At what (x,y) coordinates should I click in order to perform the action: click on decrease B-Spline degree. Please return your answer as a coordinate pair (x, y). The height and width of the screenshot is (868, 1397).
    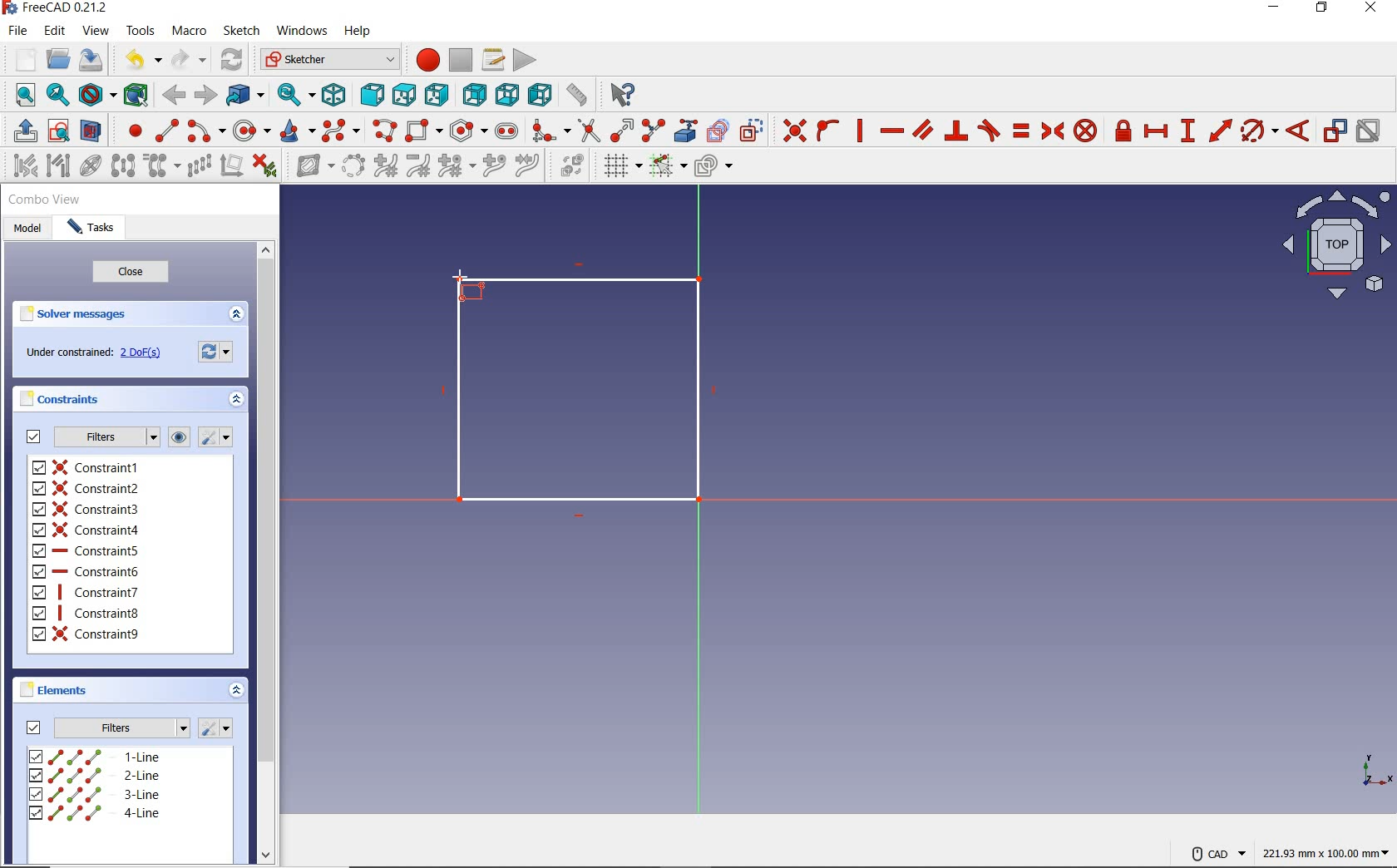
    Looking at the image, I should click on (419, 168).